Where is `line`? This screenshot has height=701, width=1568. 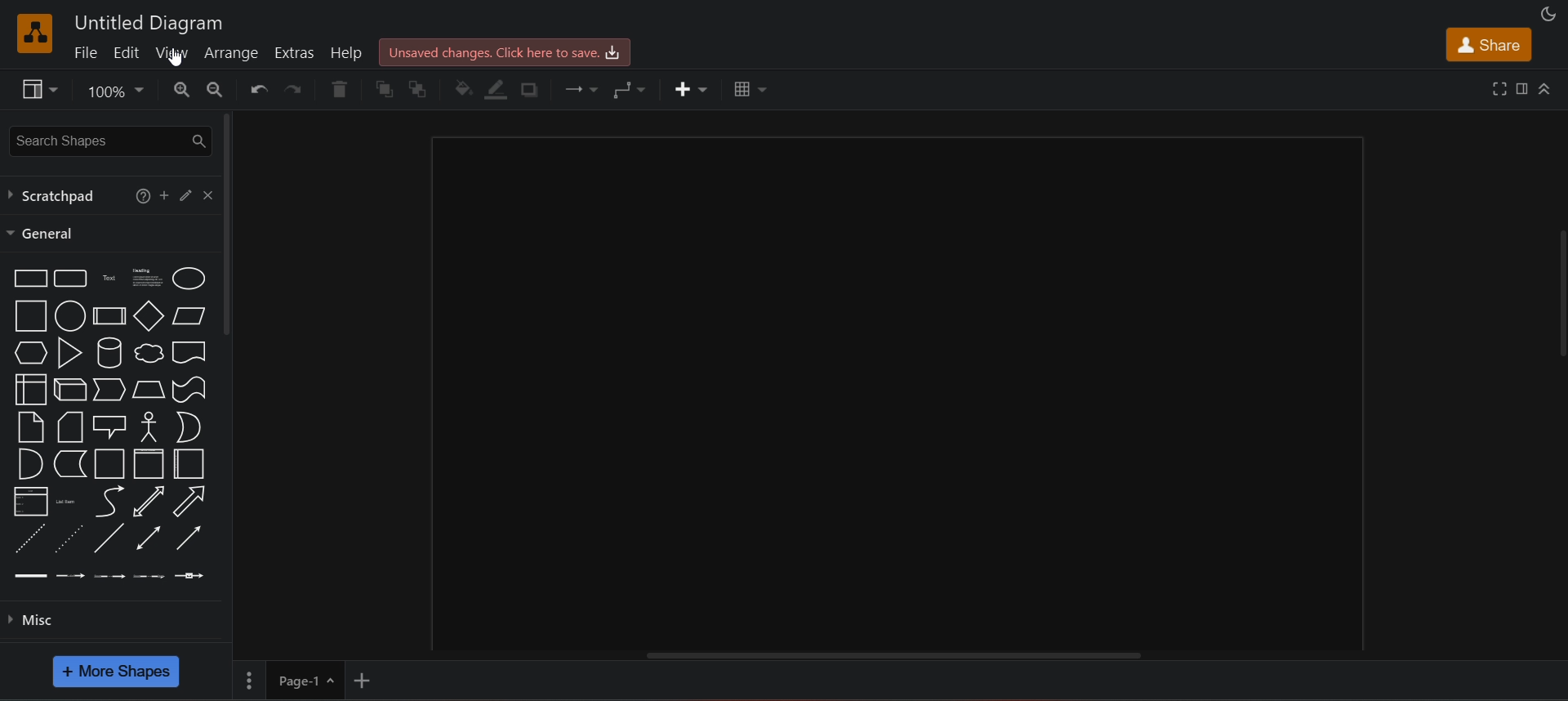
line is located at coordinates (111, 537).